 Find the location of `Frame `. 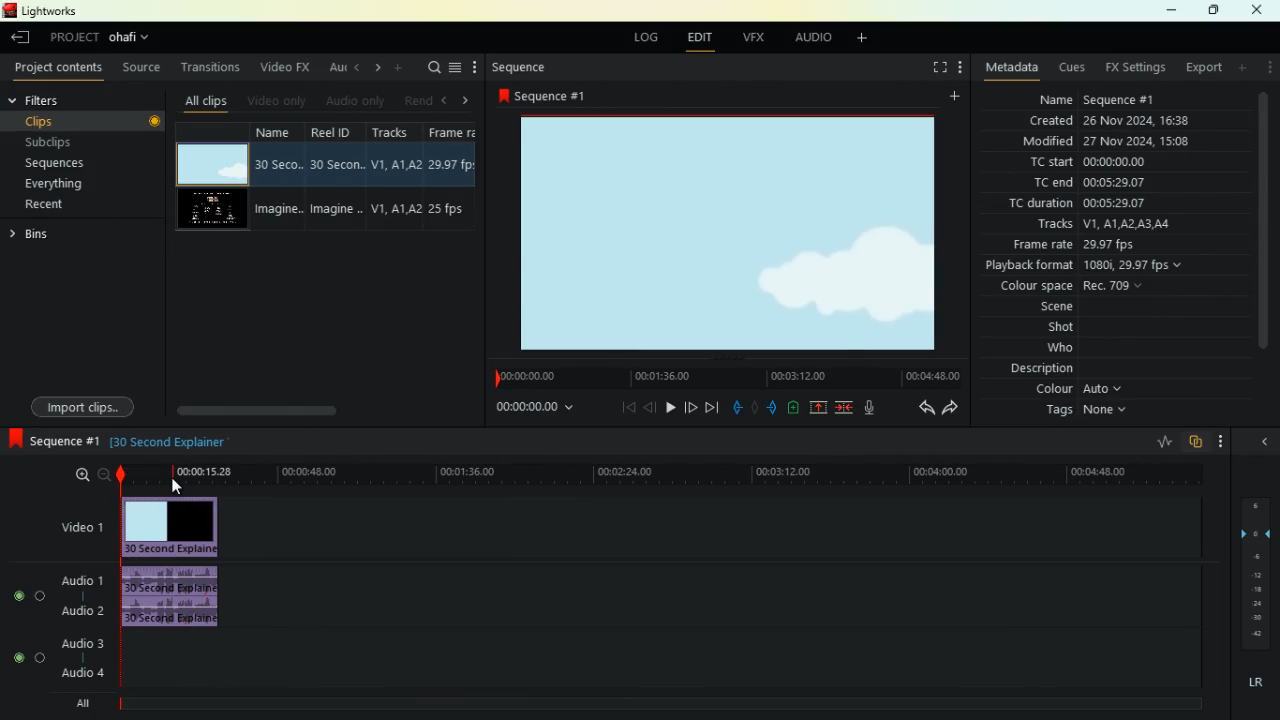

Frame  is located at coordinates (452, 133).